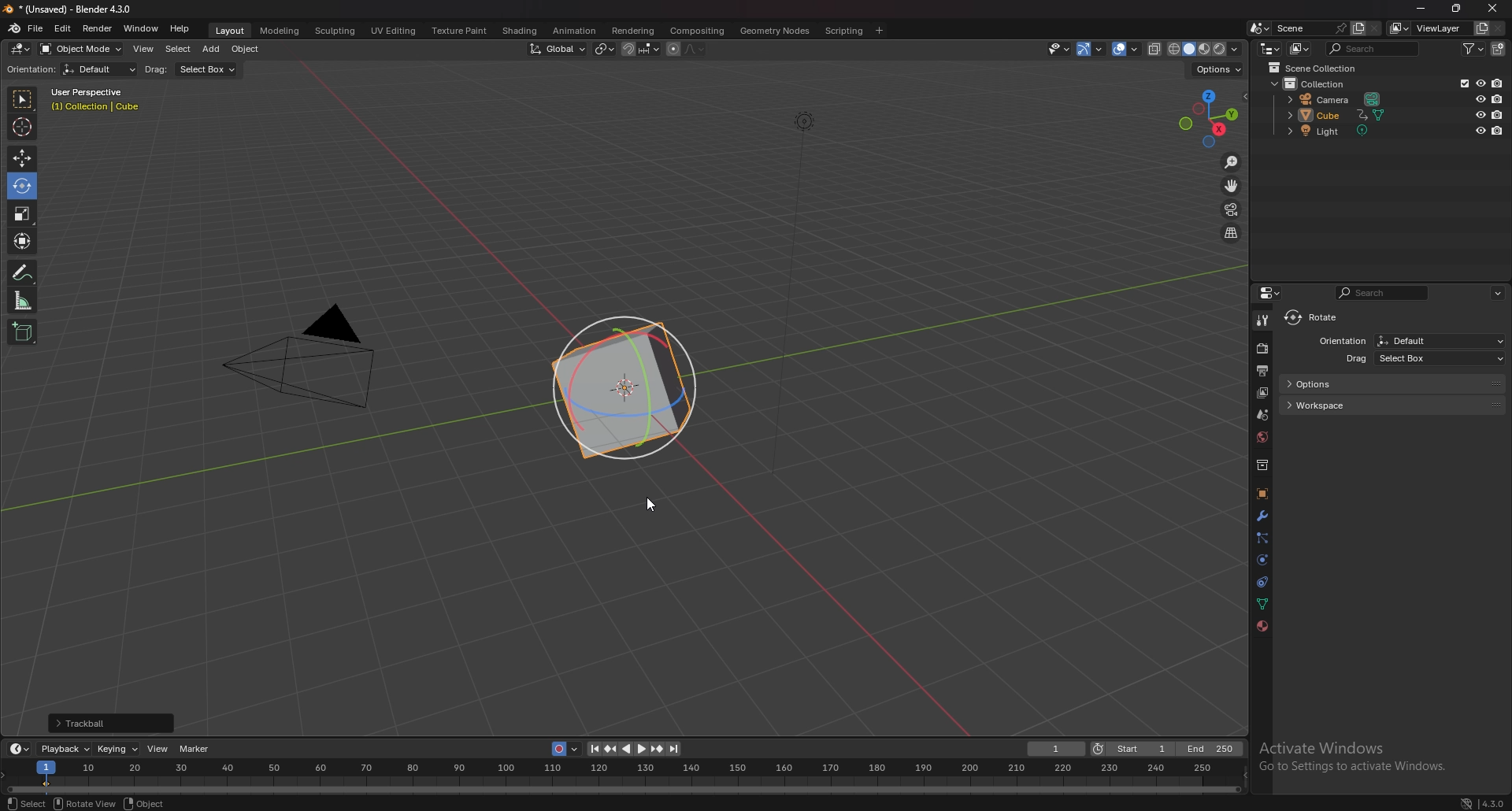 Image resolution: width=1512 pixels, height=811 pixels. What do you see at coordinates (1337, 98) in the screenshot?
I see `camera` at bounding box center [1337, 98].